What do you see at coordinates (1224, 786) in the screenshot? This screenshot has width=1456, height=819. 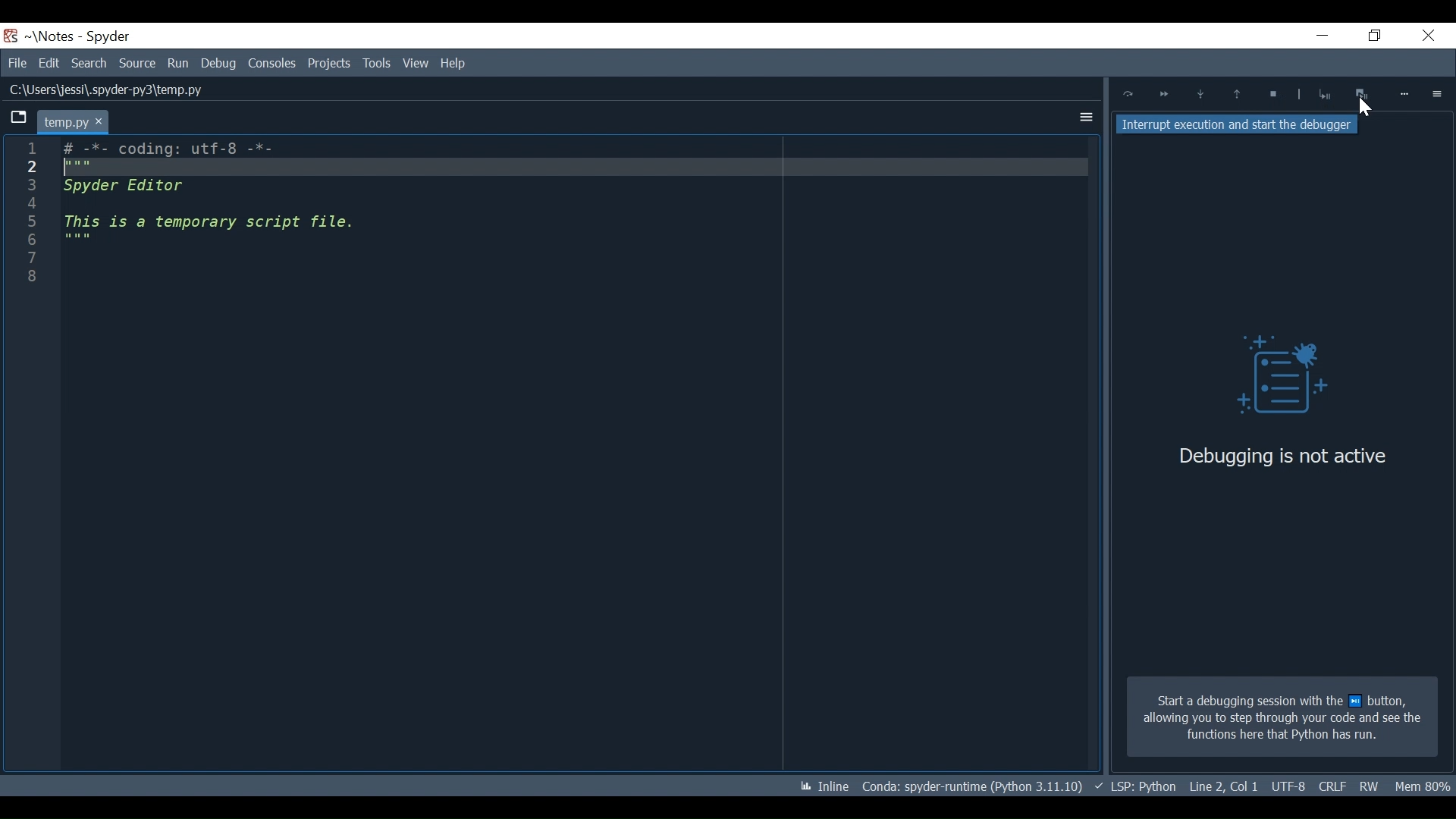 I see `File EQL Status` at bounding box center [1224, 786].